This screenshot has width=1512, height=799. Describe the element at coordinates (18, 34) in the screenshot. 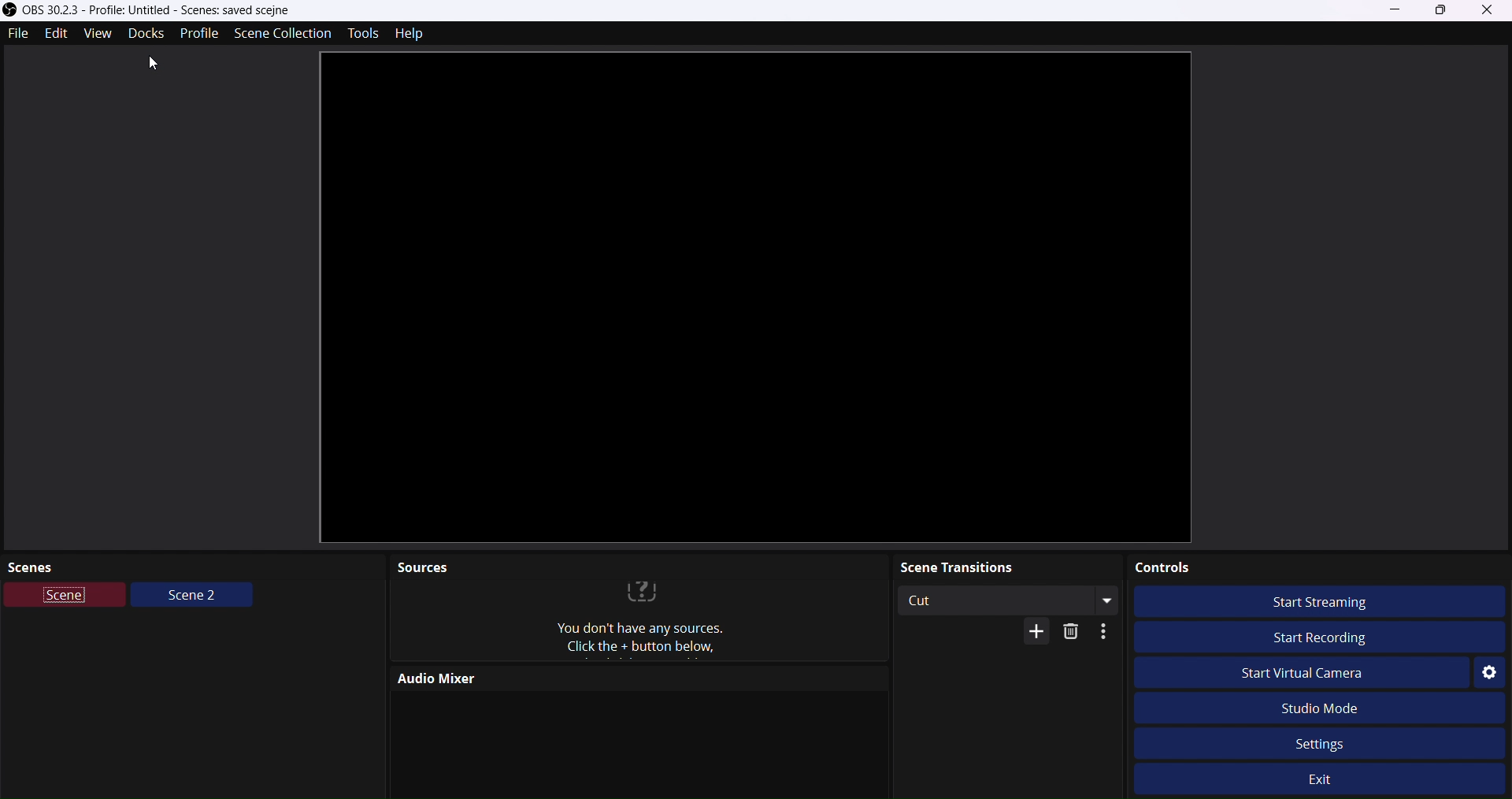

I see `File` at that location.